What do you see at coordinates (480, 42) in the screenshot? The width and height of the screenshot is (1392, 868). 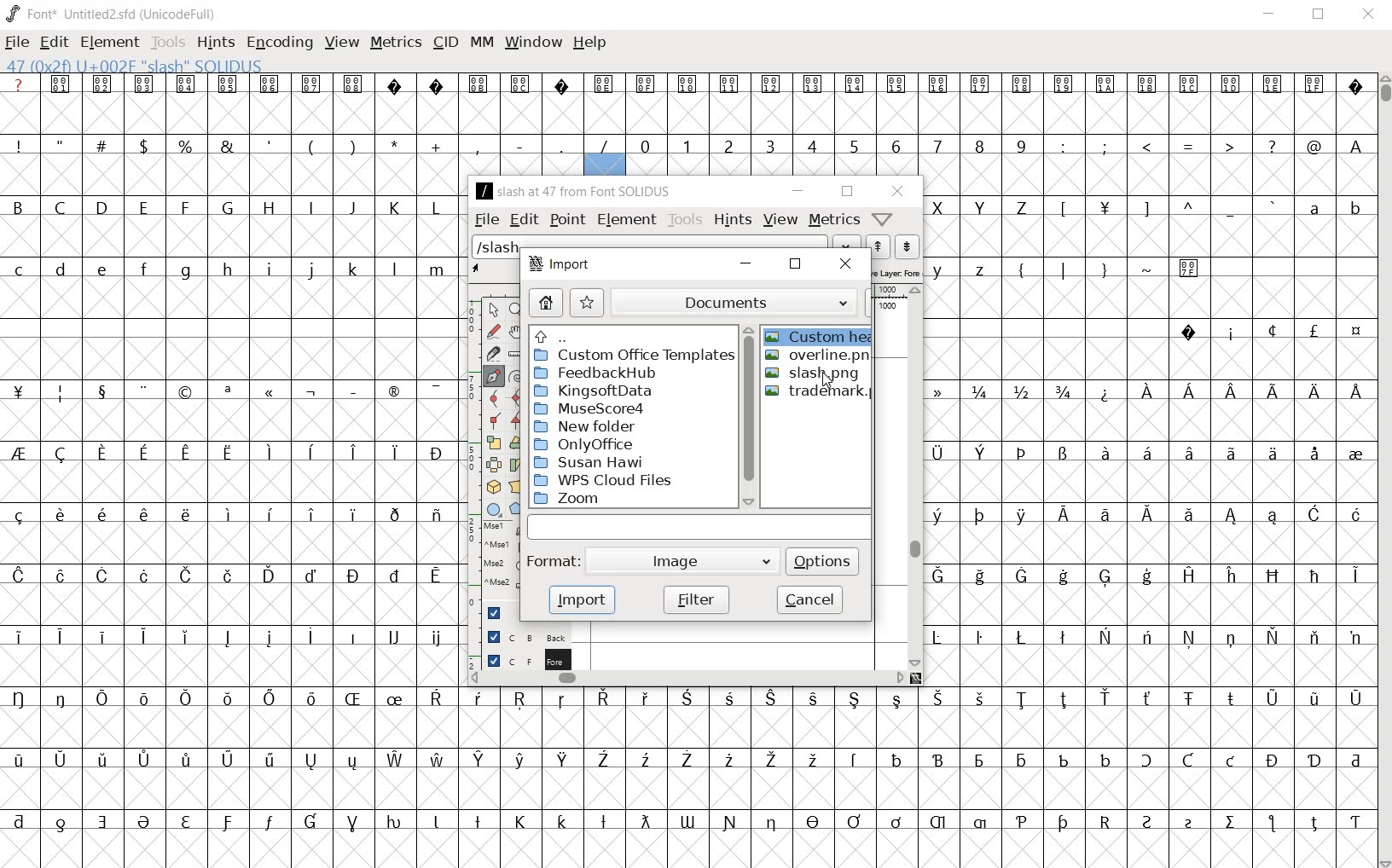 I see `MM` at bounding box center [480, 42].